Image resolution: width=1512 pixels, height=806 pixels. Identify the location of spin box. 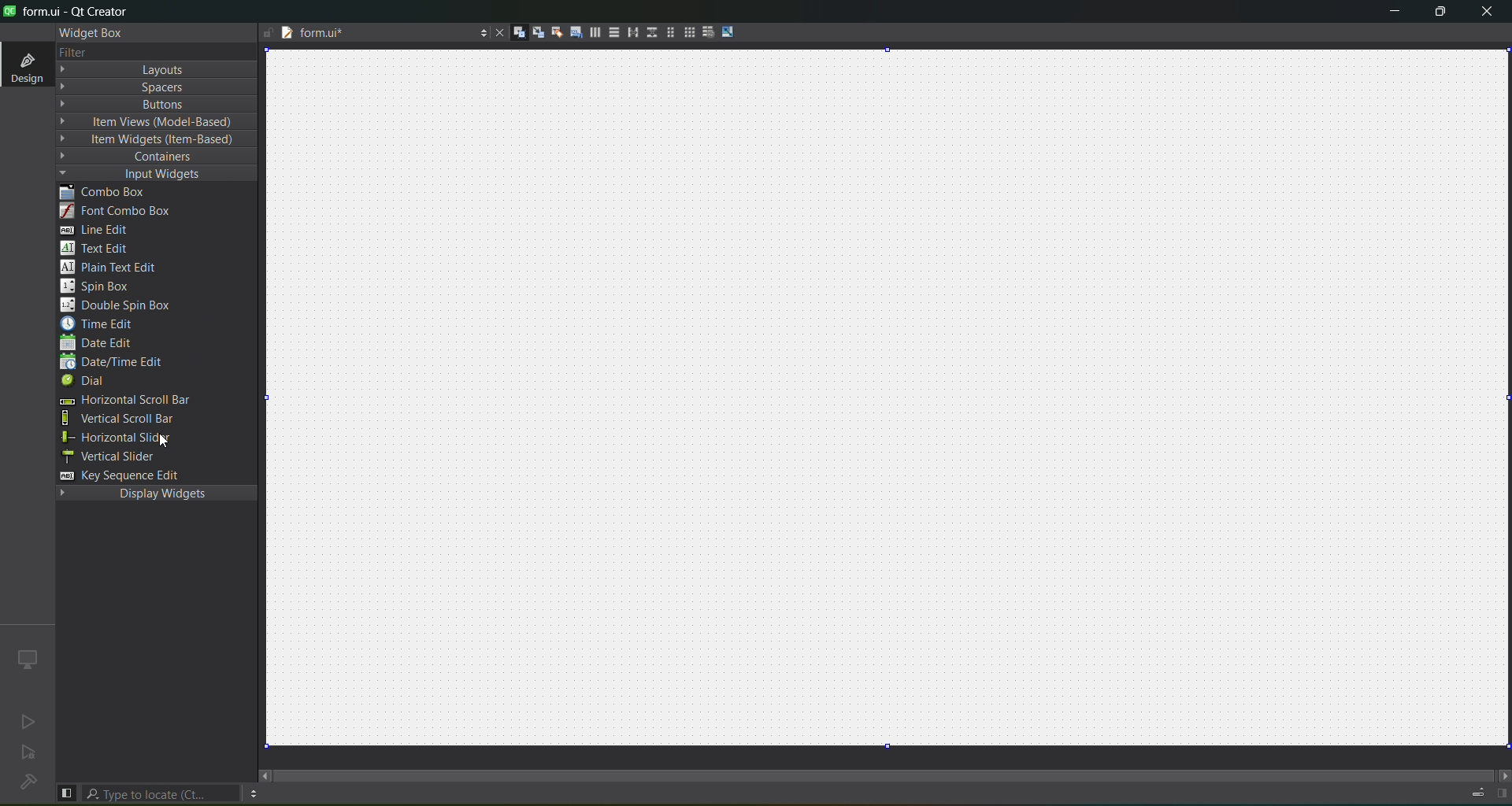
(99, 287).